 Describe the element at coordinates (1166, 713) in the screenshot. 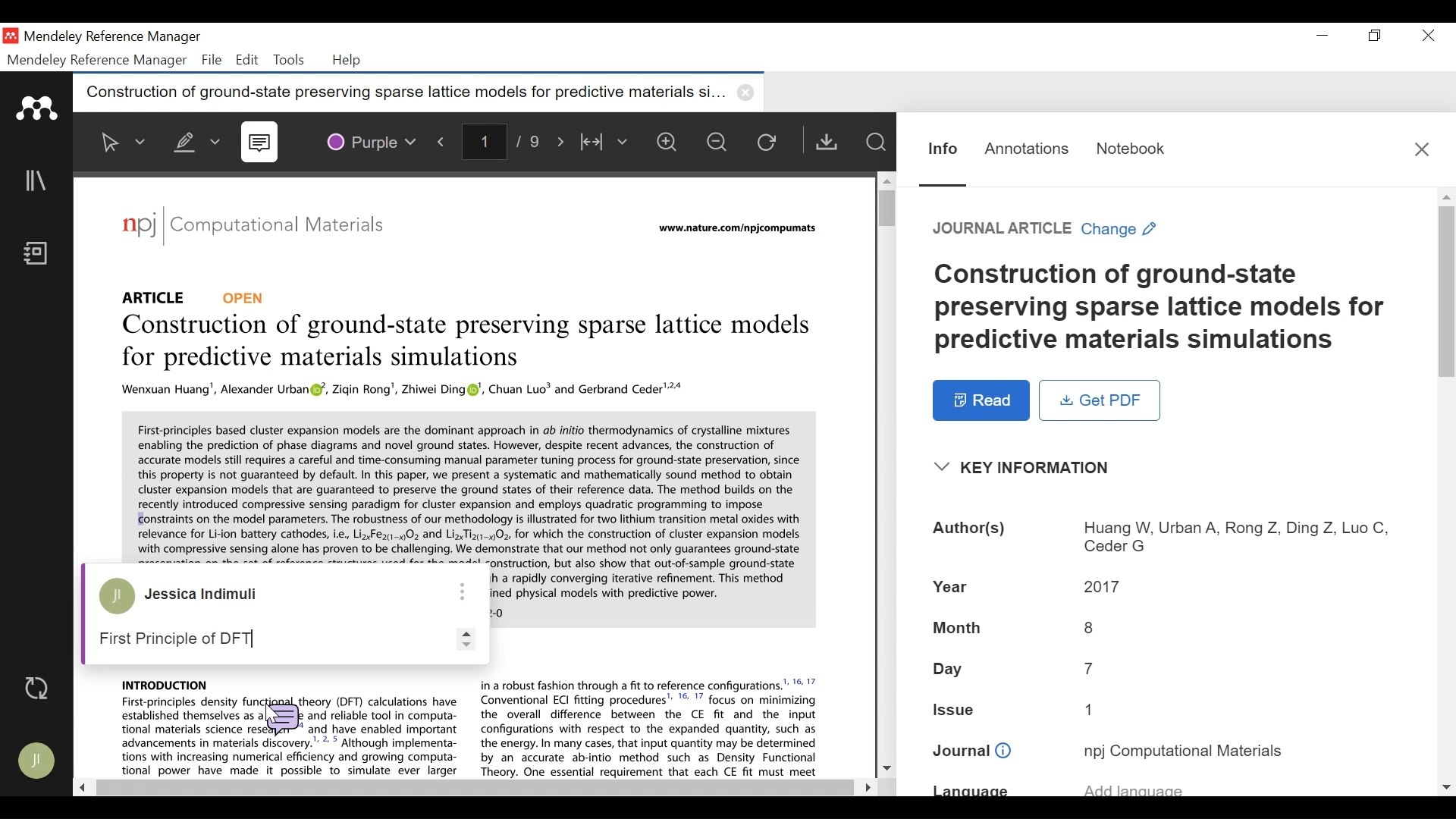

I see `Issue` at that location.